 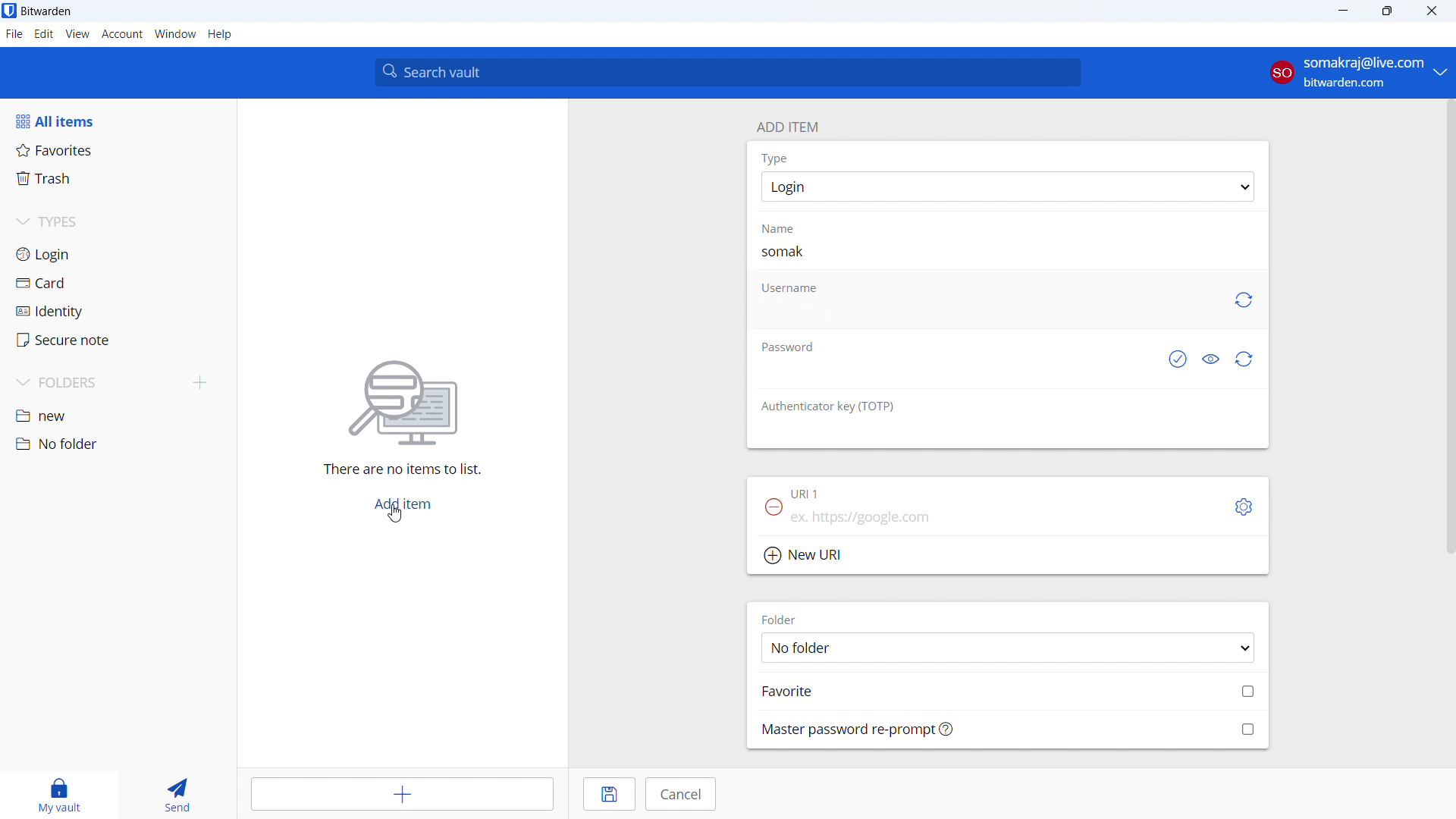 What do you see at coordinates (1386, 11) in the screenshot?
I see `maximize` at bounding box center [1386, 11].